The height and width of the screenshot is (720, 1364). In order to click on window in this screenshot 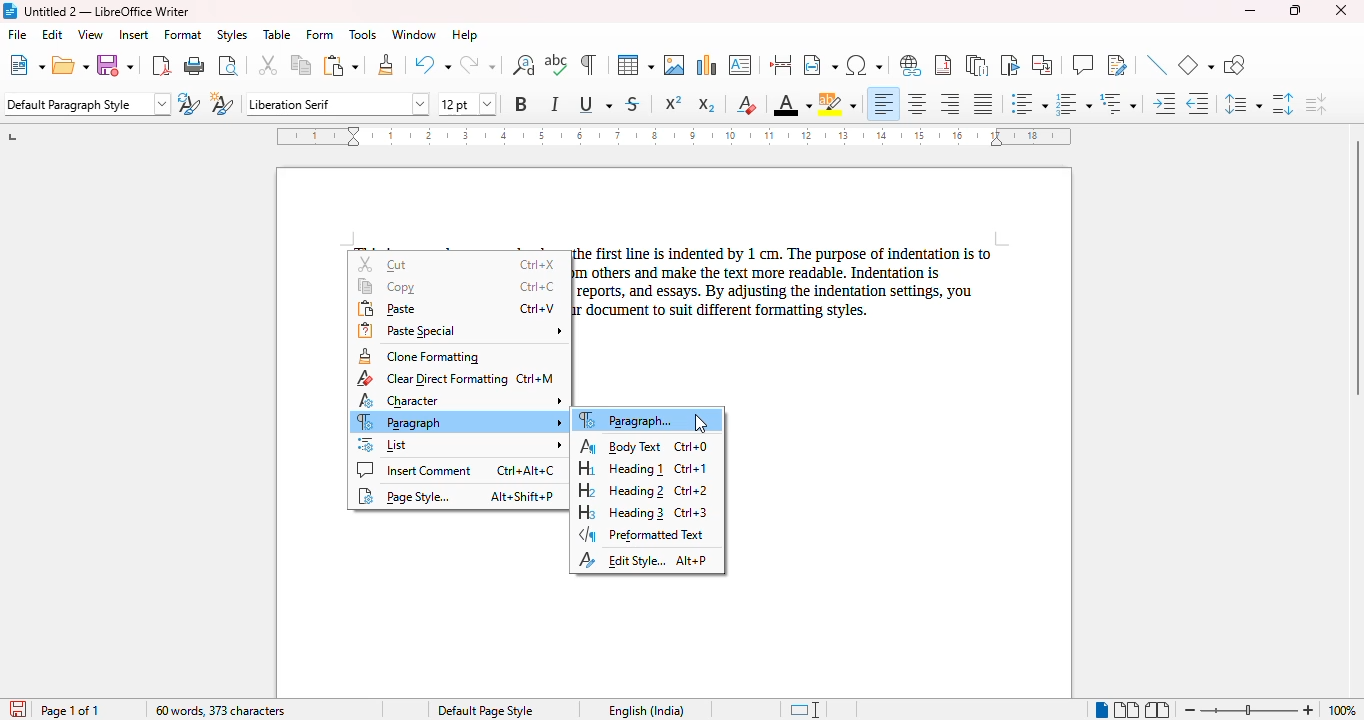, I will do `click(414, 34)`.